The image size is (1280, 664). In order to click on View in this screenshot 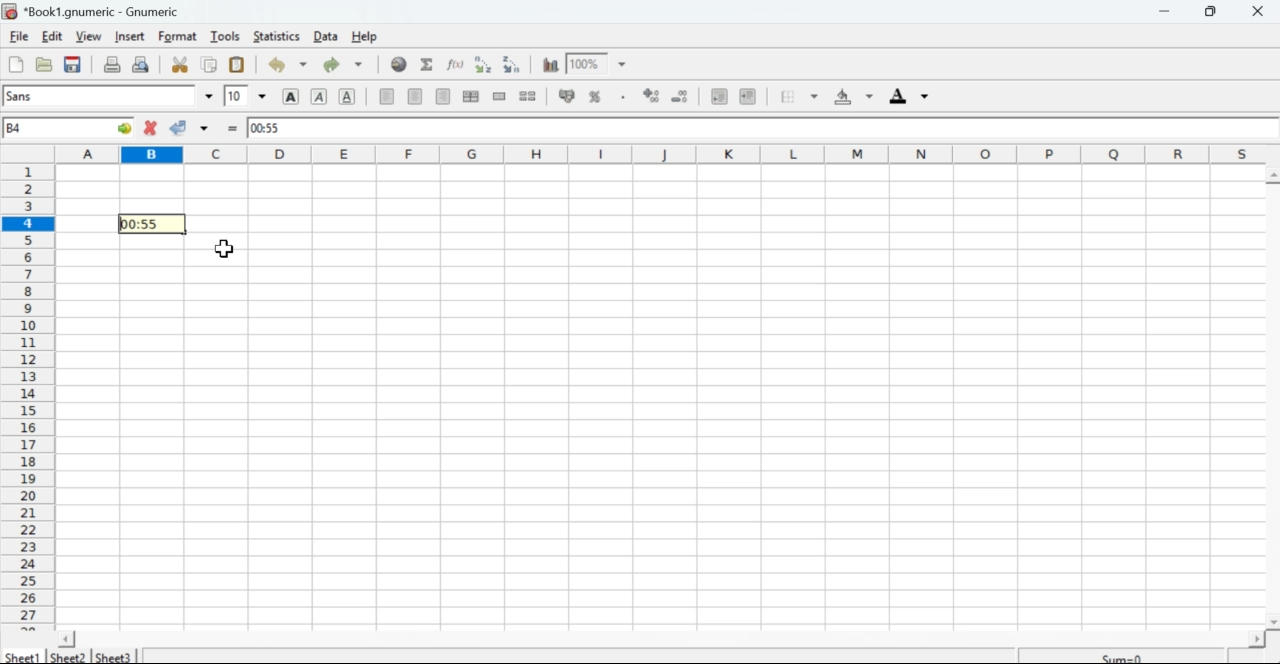, I will do `click(90, 35)`.